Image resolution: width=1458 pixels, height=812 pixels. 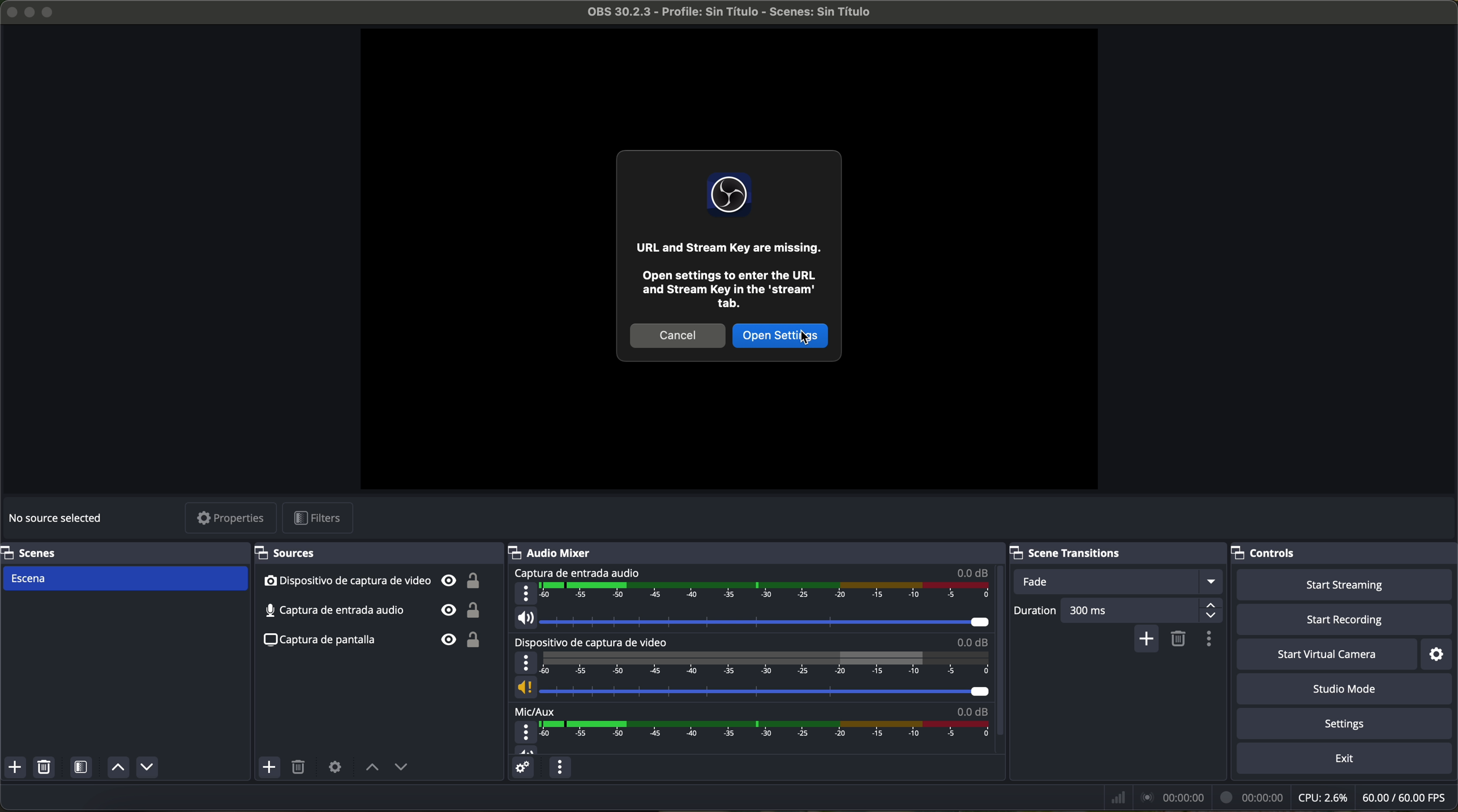 What do you see at coordinates (372, 768) in the screenshot?
I see `move source up` at bounding box center [372, 768].